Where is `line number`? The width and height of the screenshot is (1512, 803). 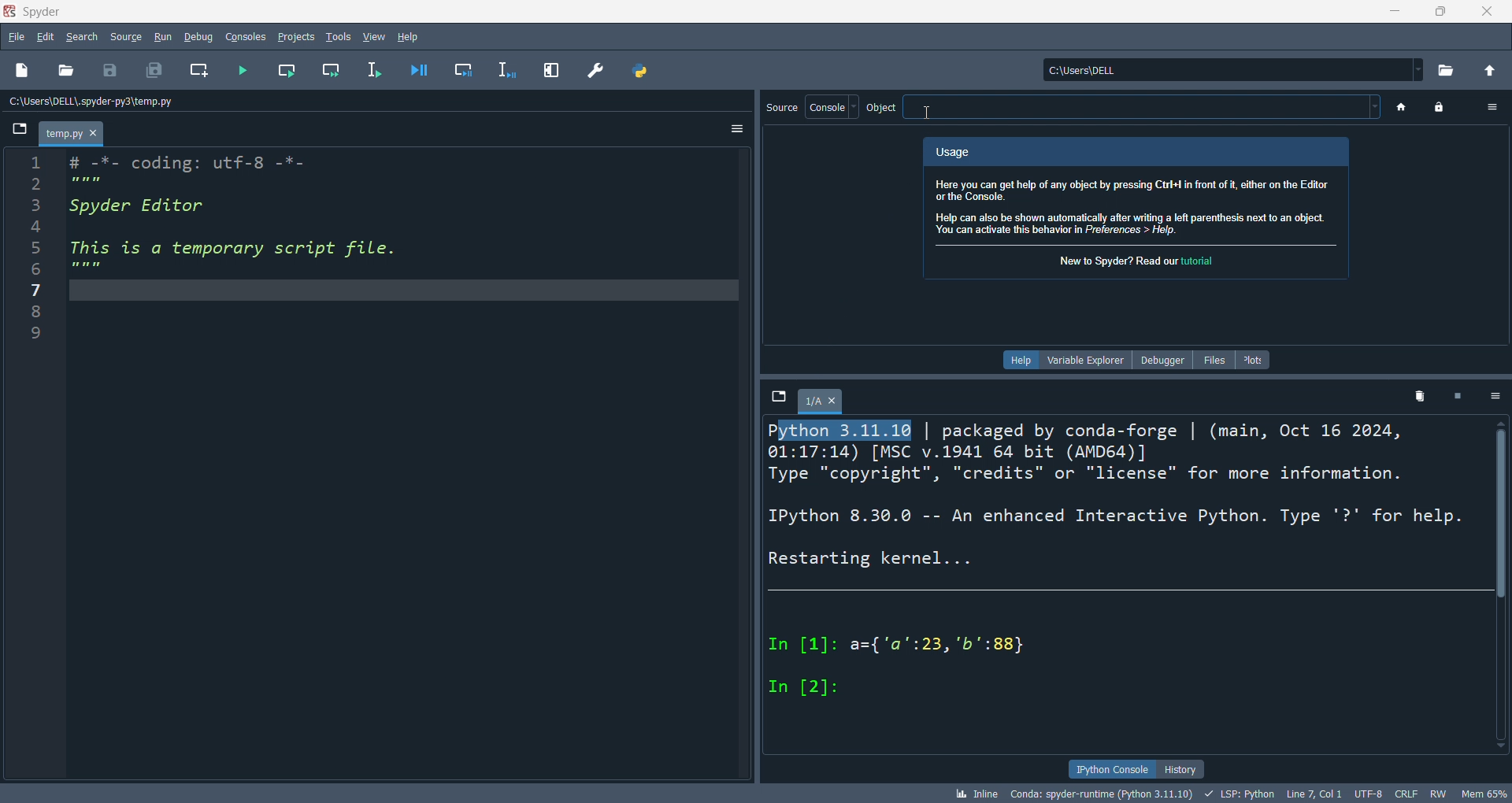
line number is located at coordinates (30, 461).